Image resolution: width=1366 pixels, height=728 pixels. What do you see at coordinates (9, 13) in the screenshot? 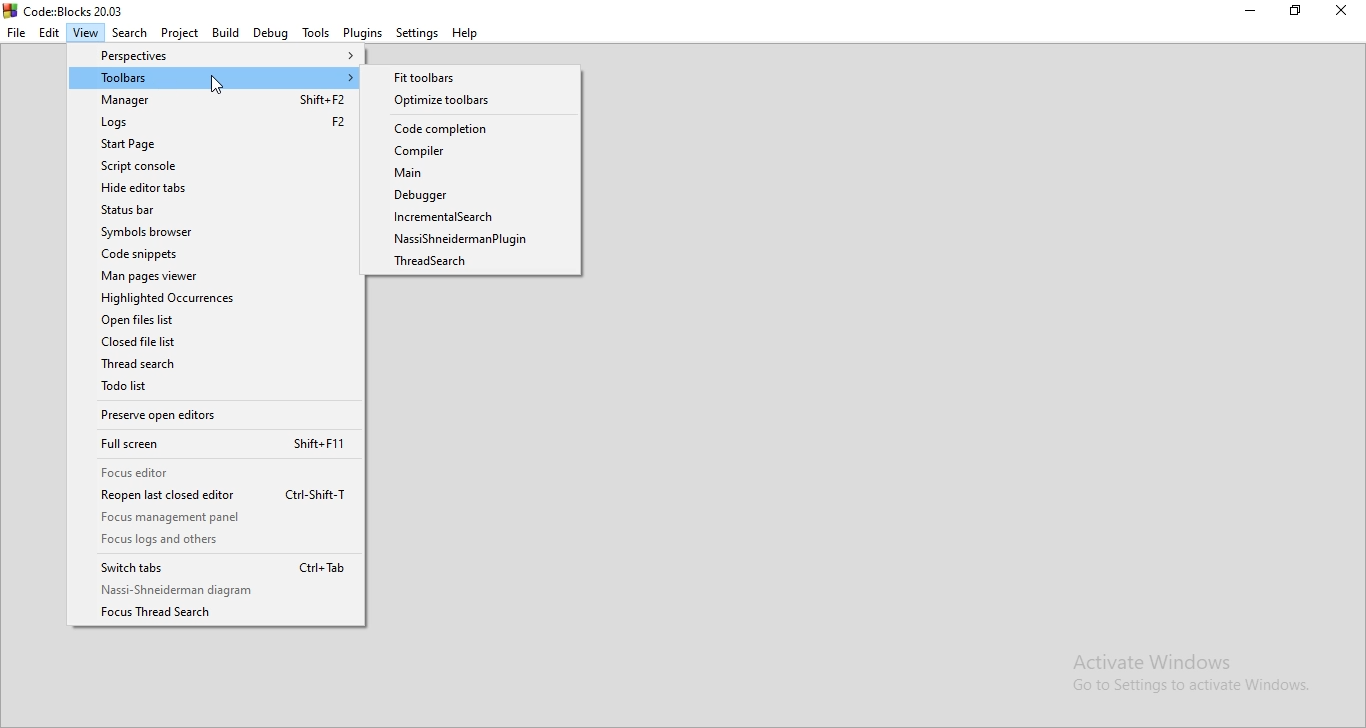
I see `logo` at bounding box center [9, 13].